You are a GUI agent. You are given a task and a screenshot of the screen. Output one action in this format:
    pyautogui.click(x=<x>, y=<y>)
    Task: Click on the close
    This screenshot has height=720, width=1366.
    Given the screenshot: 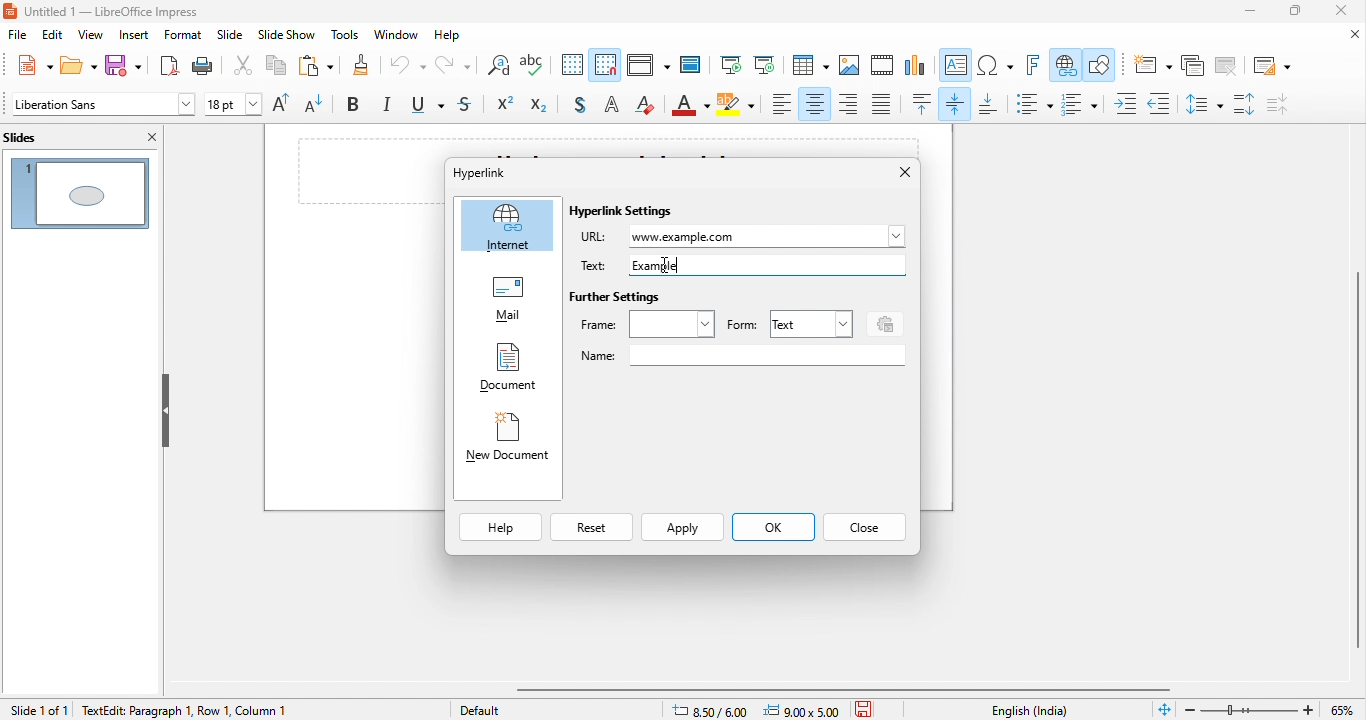 What is the action you would take?
    pyautogui.click(x=896, y=173)
    